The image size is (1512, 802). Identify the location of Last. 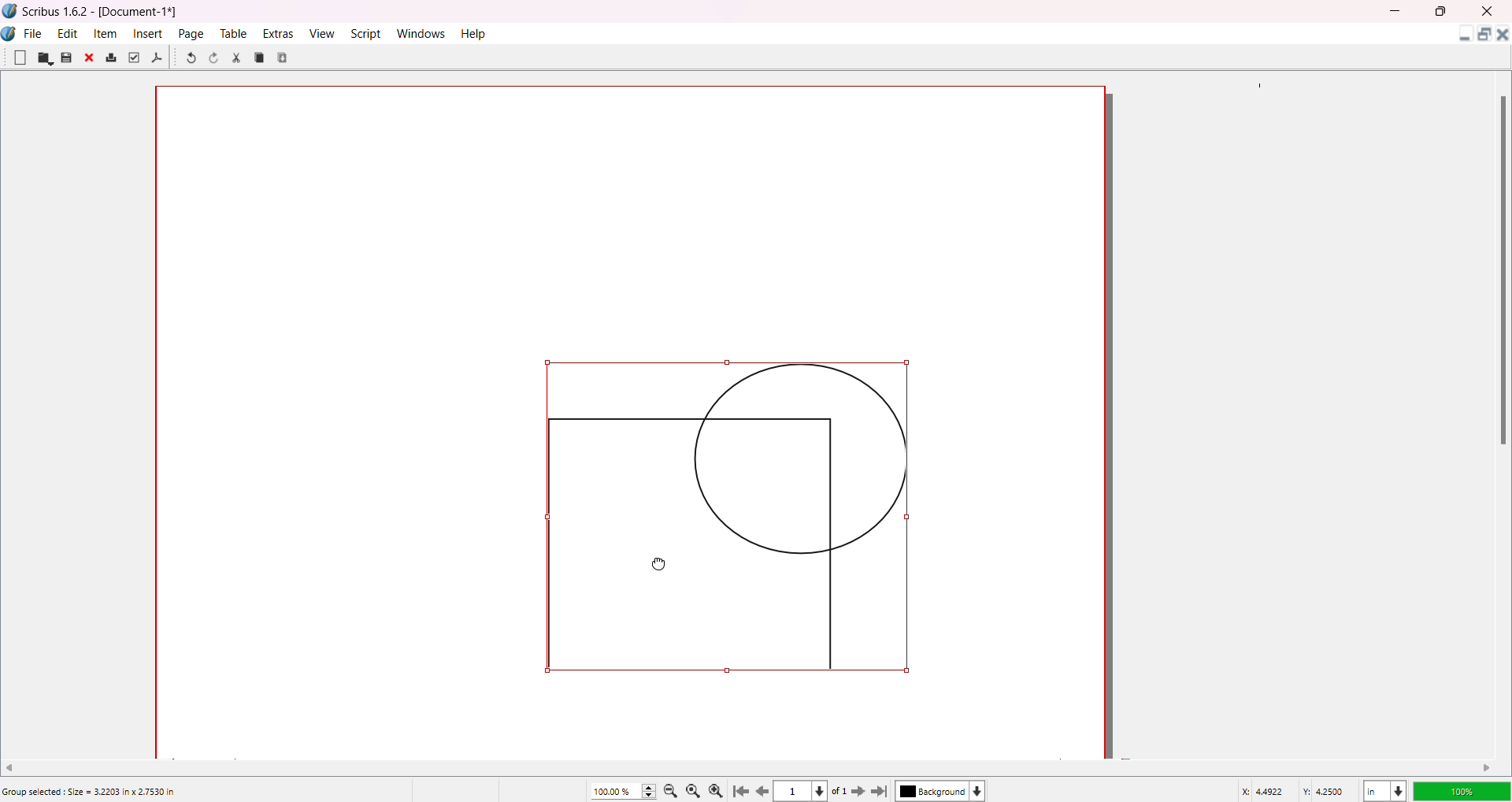
(881, 790).